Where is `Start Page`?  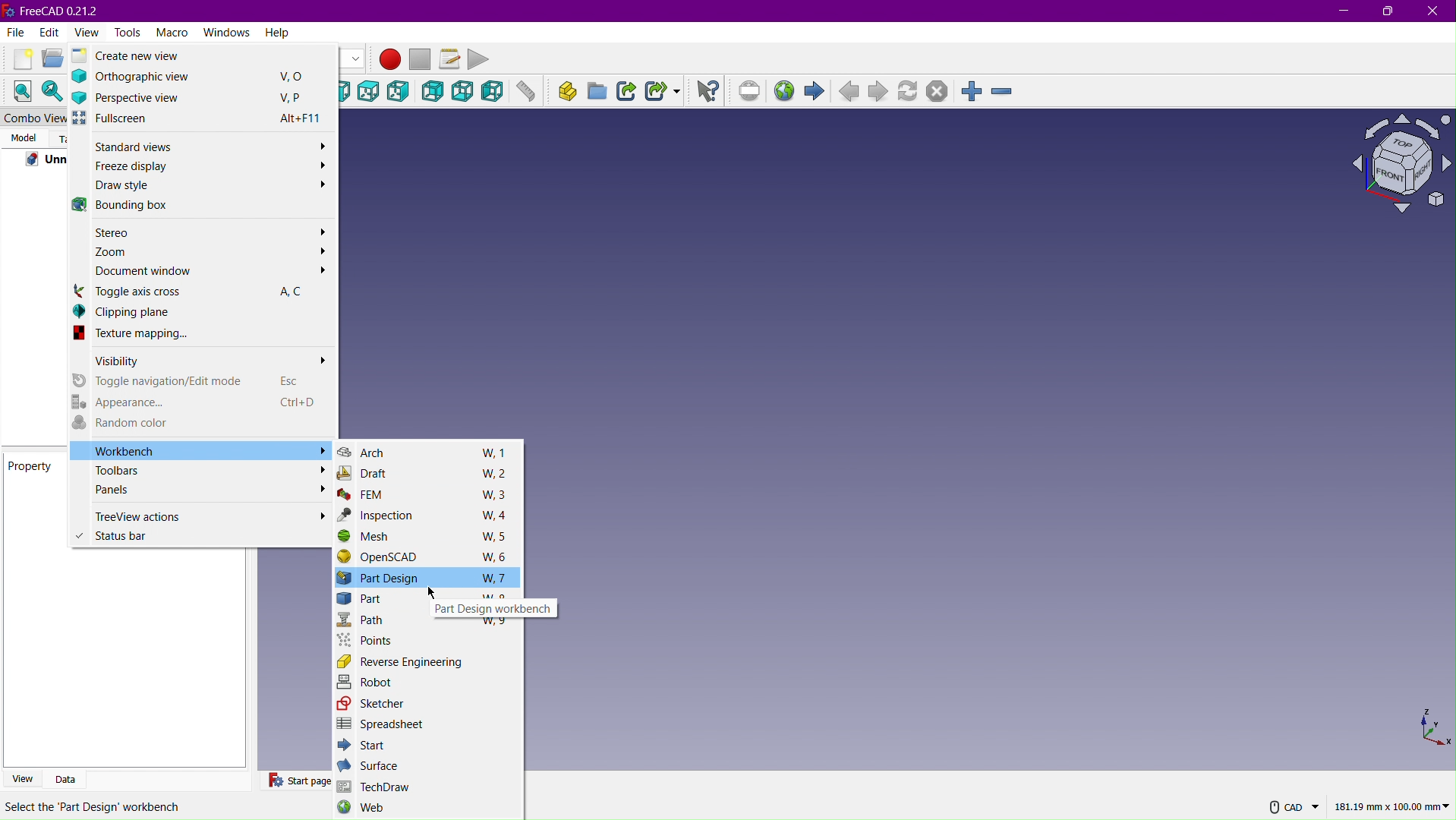
Start Page is located at coordinates (301, 782).